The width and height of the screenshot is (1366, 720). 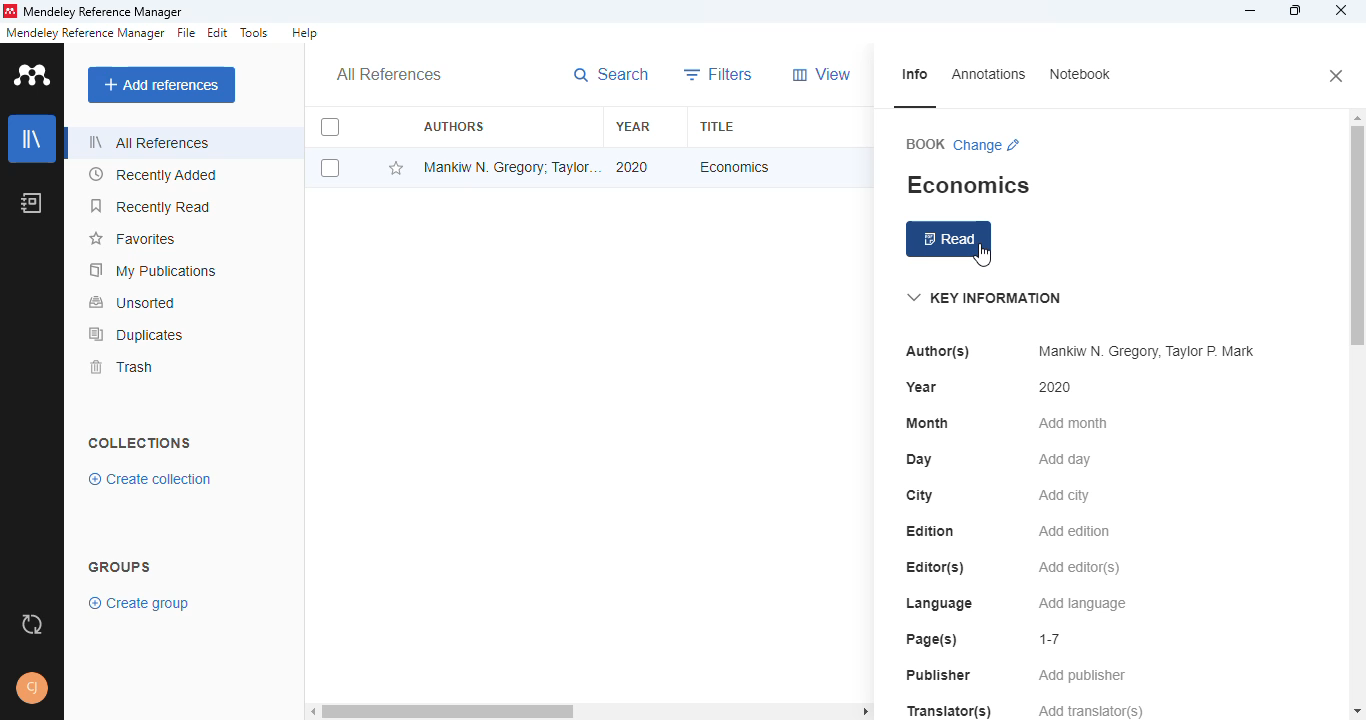 What do you see at coordinates (940, 605) in the screenshot?
I see `language` at bounding box center [940, 605].